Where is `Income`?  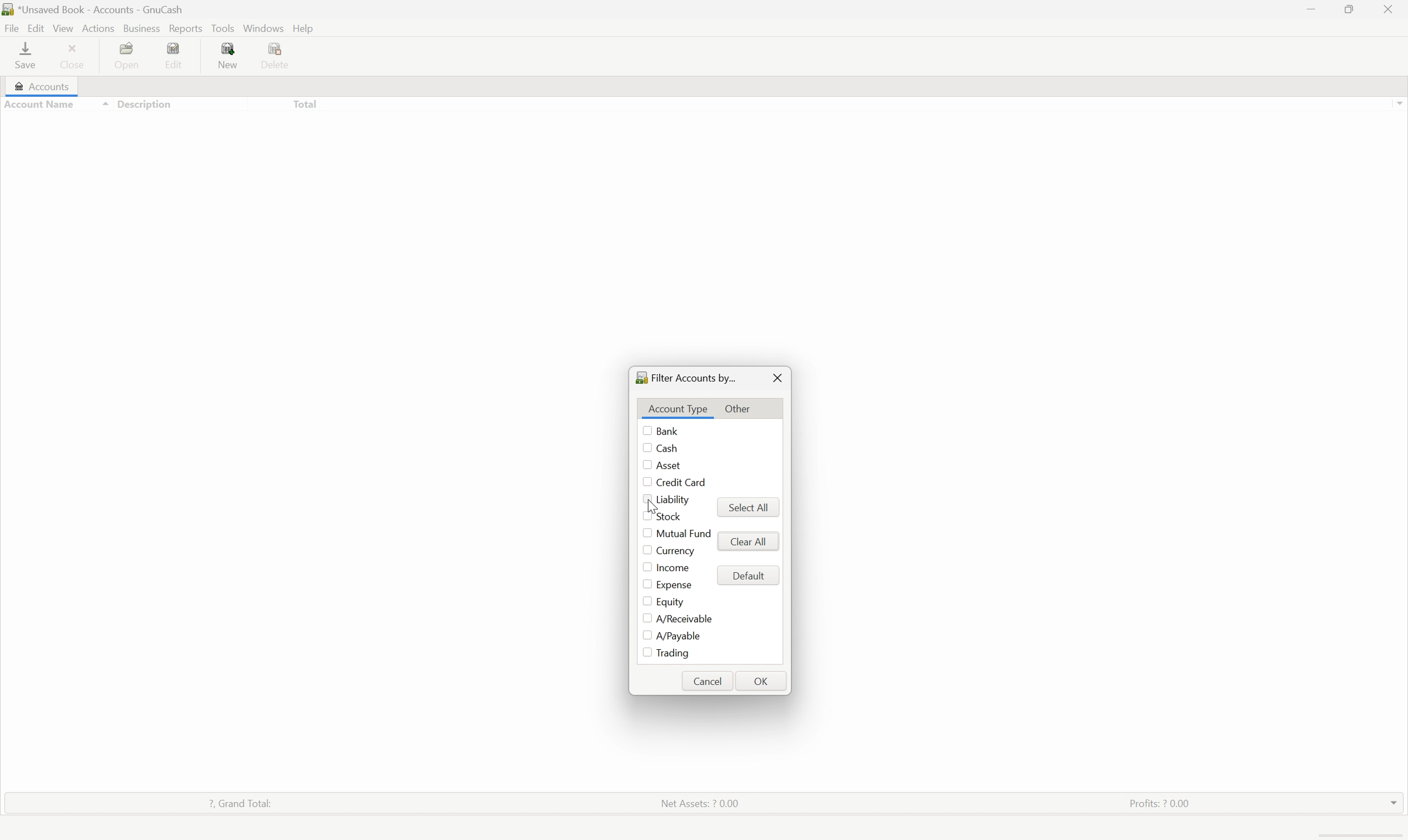
Income is located at coordinates (133, 170).